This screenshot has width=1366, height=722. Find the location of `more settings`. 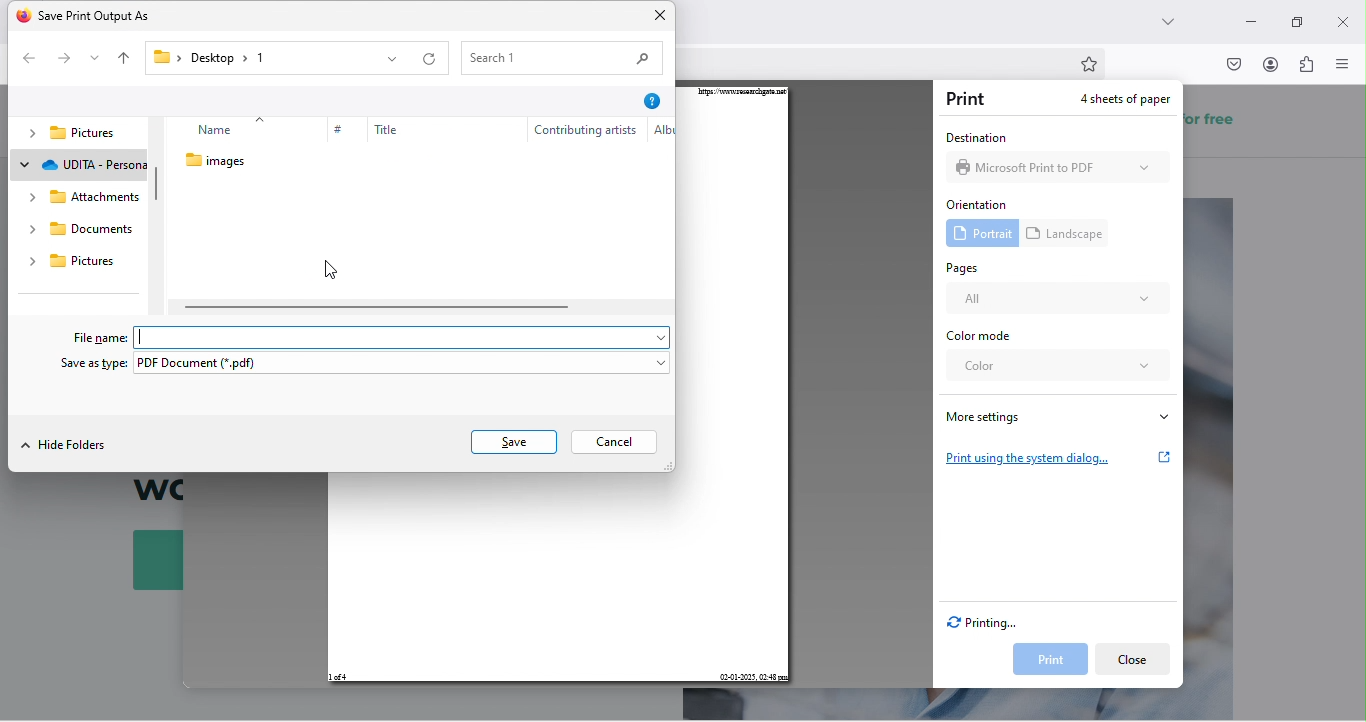

more settings is located at coordinates (1057, 416).